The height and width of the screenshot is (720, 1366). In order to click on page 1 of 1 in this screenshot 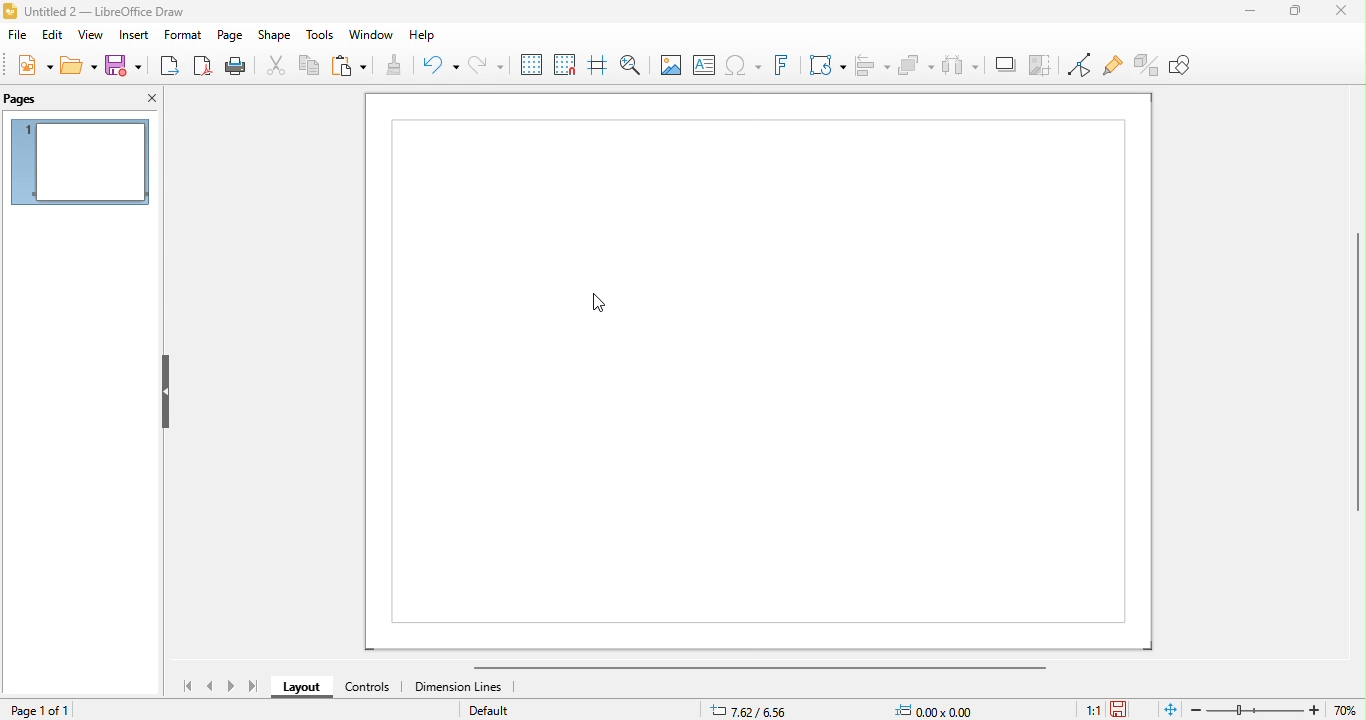, I will do `click(44, 710)`.